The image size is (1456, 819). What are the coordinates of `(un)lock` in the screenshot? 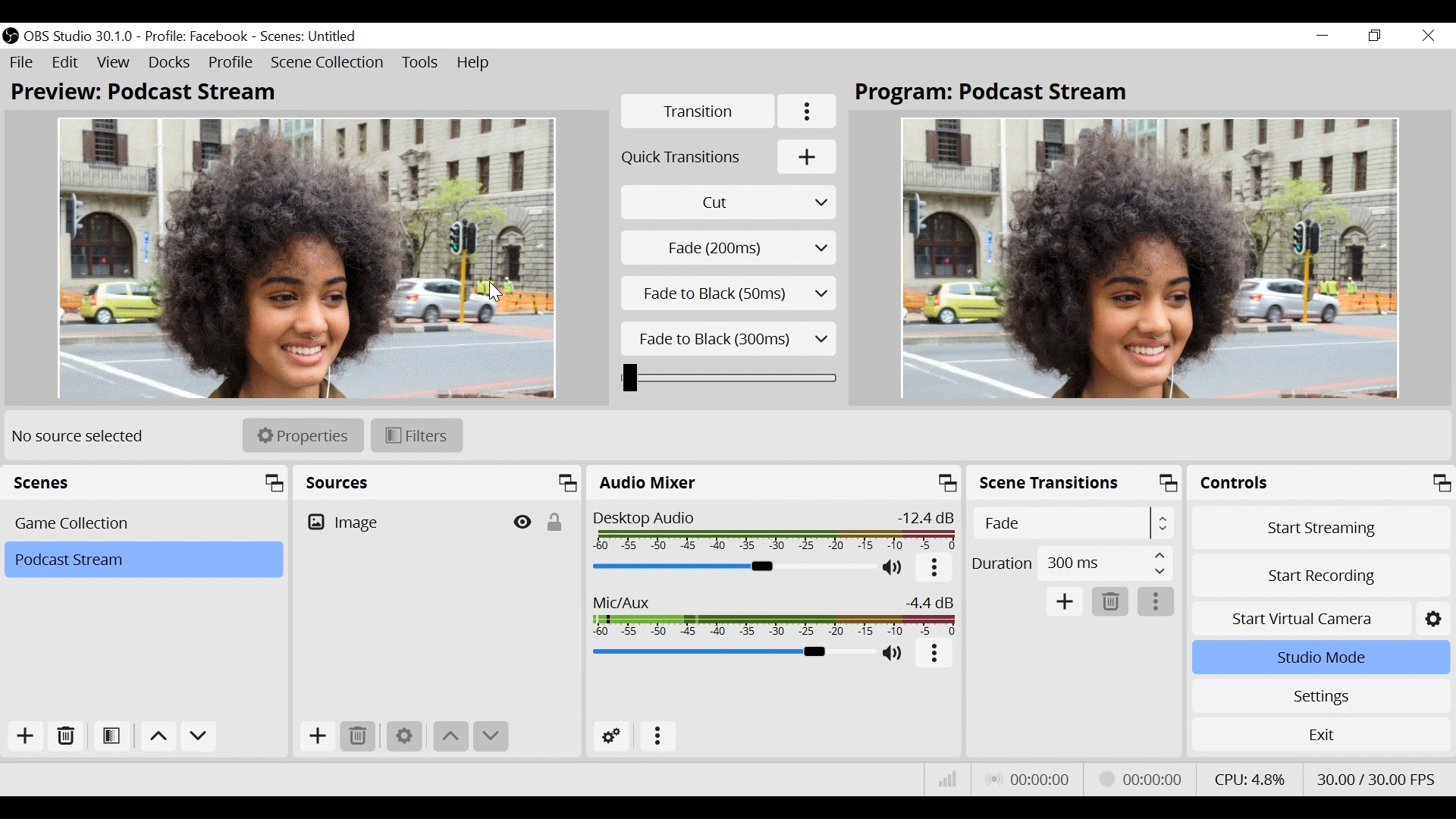 It's located at (554, 526).